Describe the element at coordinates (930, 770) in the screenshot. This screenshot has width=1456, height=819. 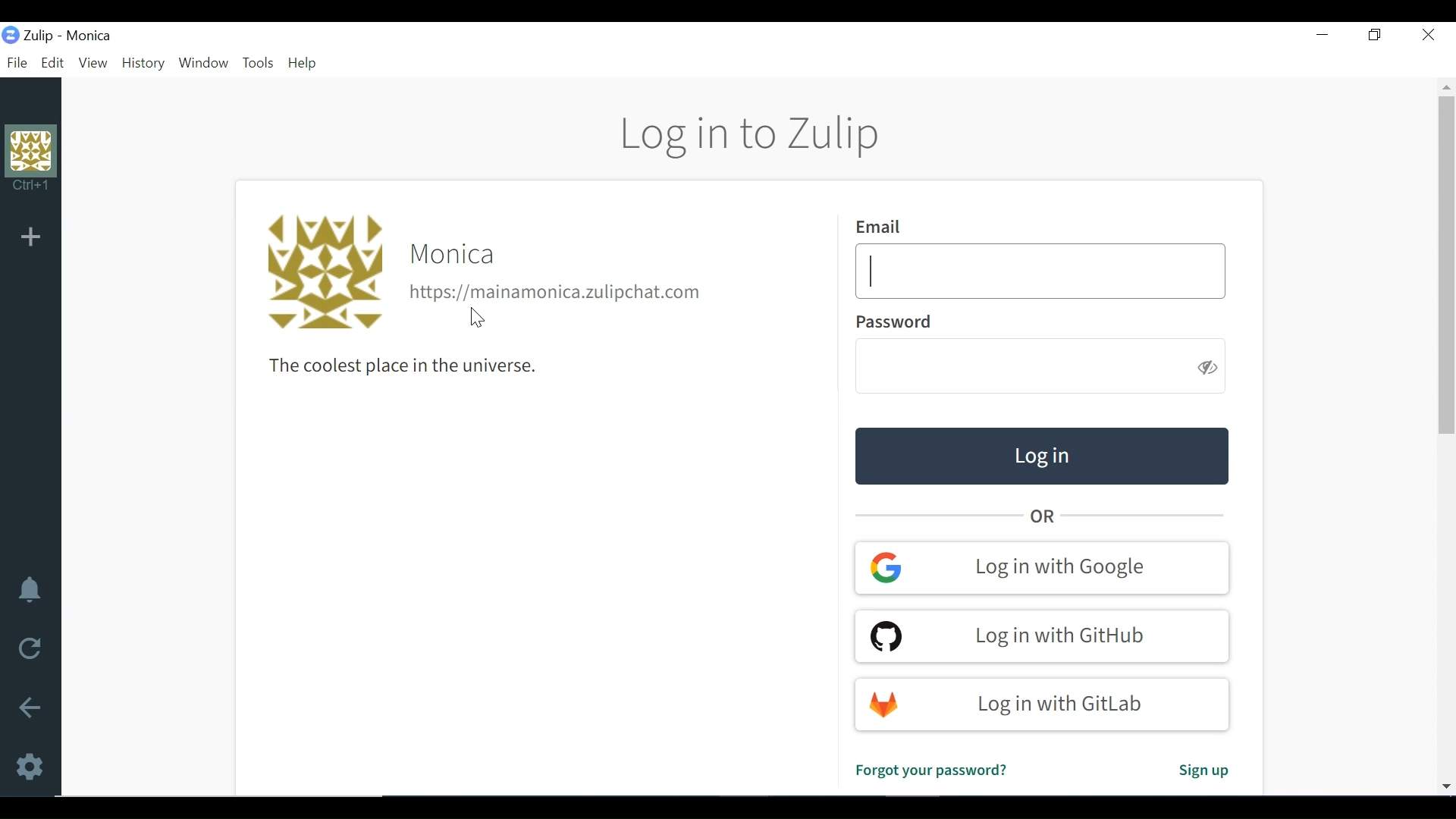
I see `Forgot password` at that location.